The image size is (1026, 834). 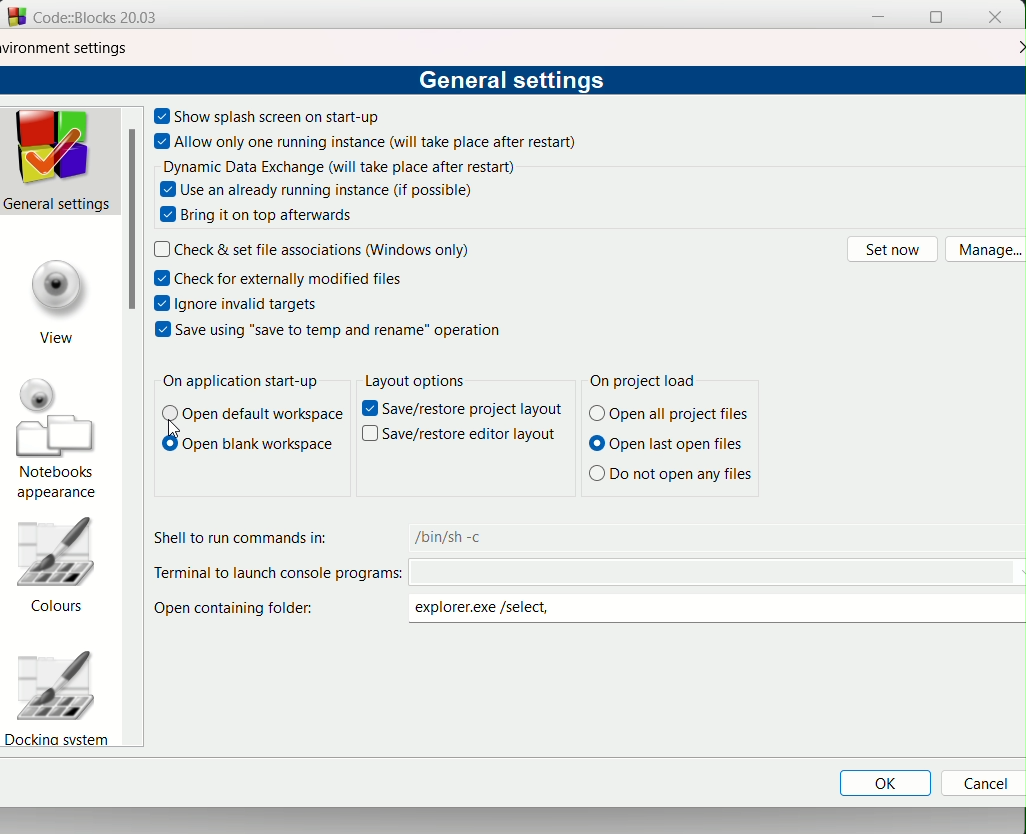 What do you see at coordinates (668, 475) in the screenshot?
I see `` at bounding box center [668, 475].